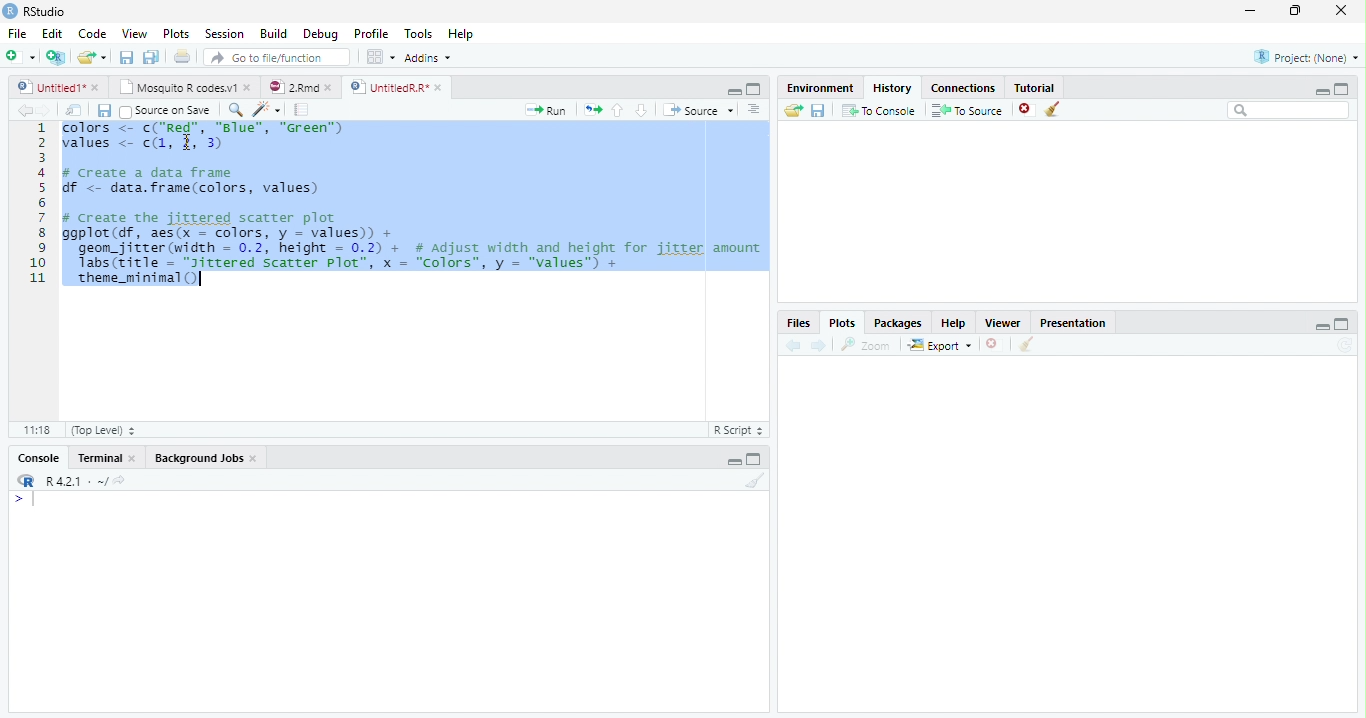 This screenshot has width=1366, height=718. Describe the element at coordinates (641, 110) in the screenshot. I see `Go to next section/chunk` at that location.